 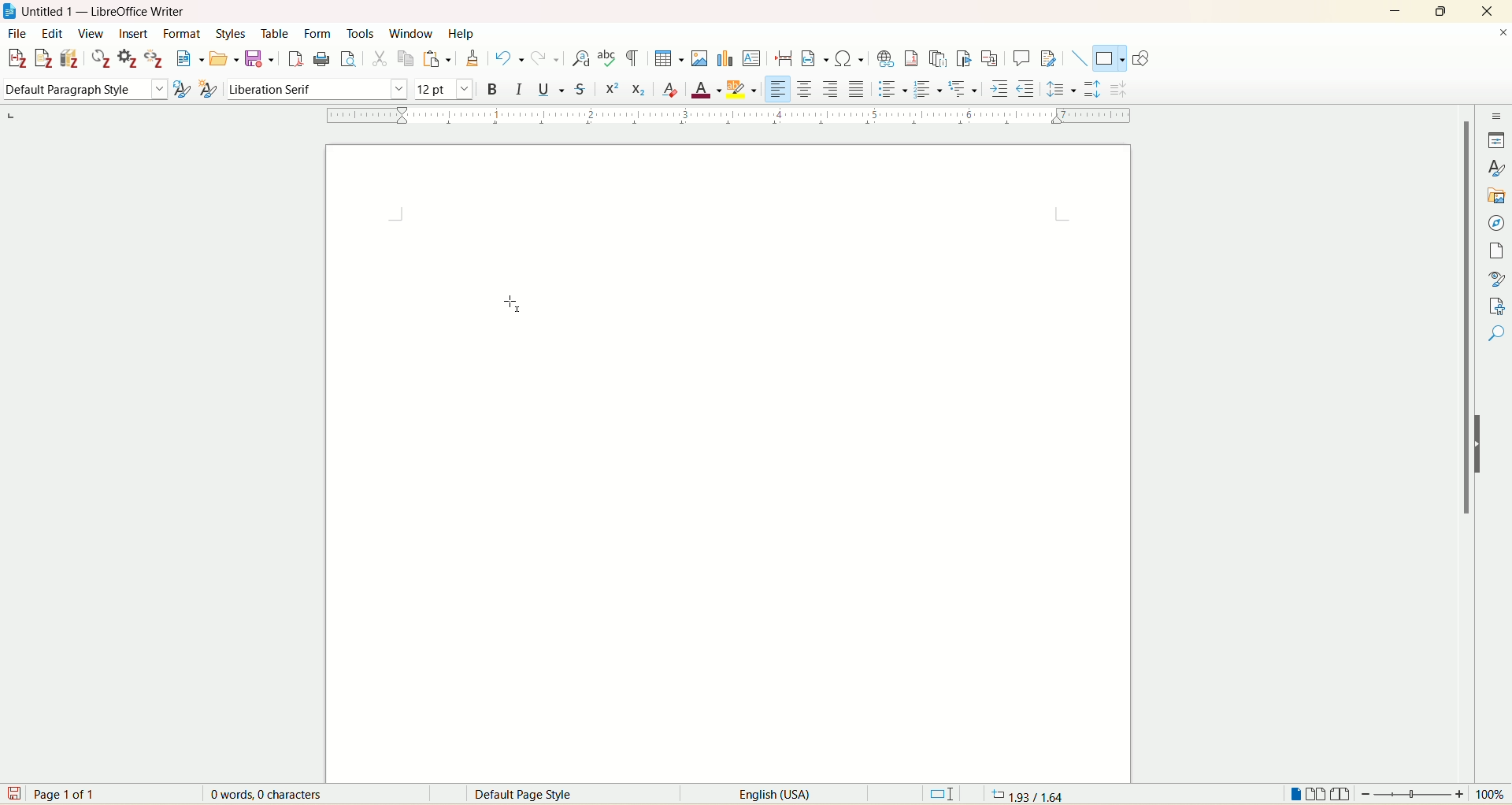 I want to click on align left, so click(x=778, y=88).